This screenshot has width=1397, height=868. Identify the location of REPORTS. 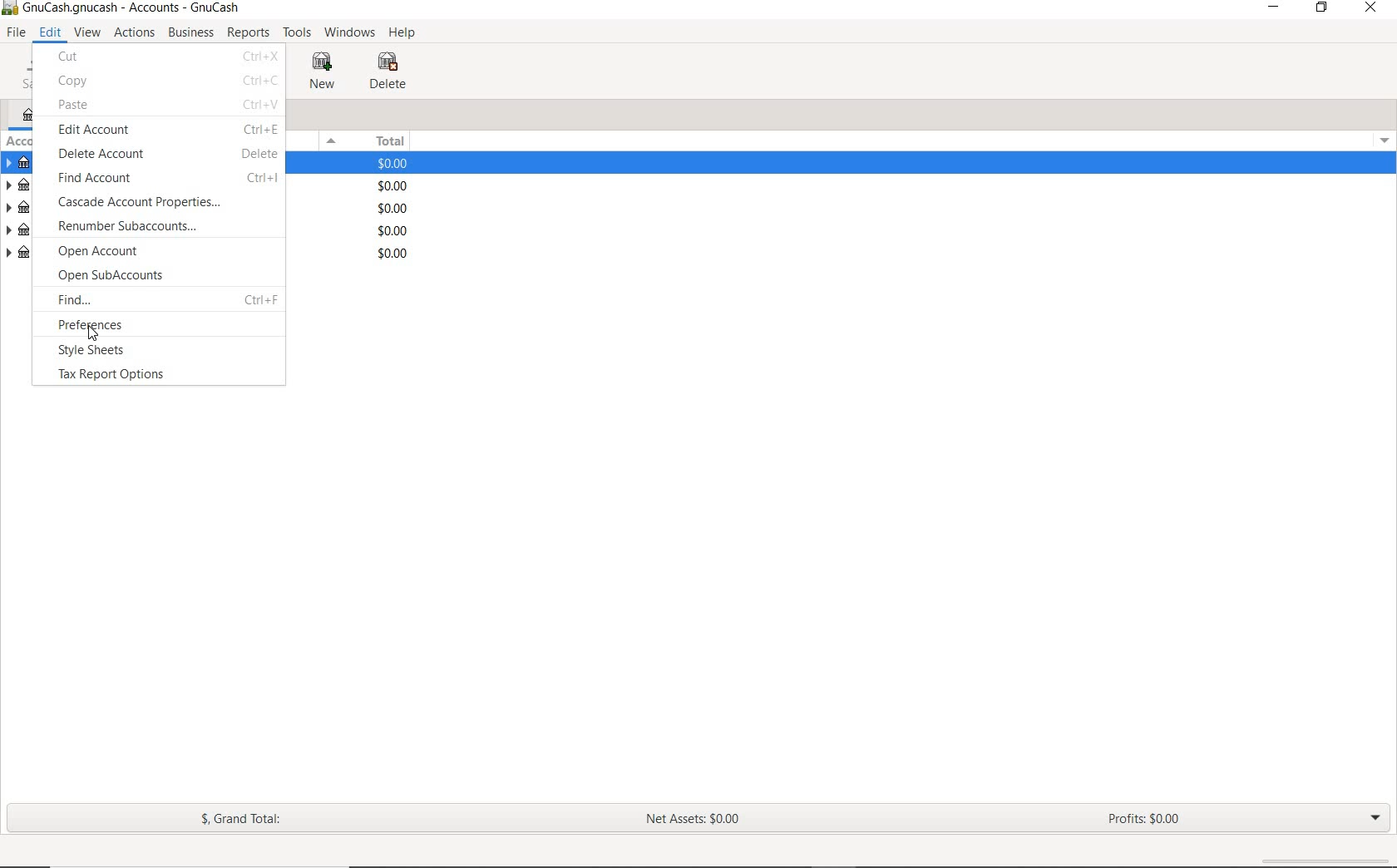
(249, 33).